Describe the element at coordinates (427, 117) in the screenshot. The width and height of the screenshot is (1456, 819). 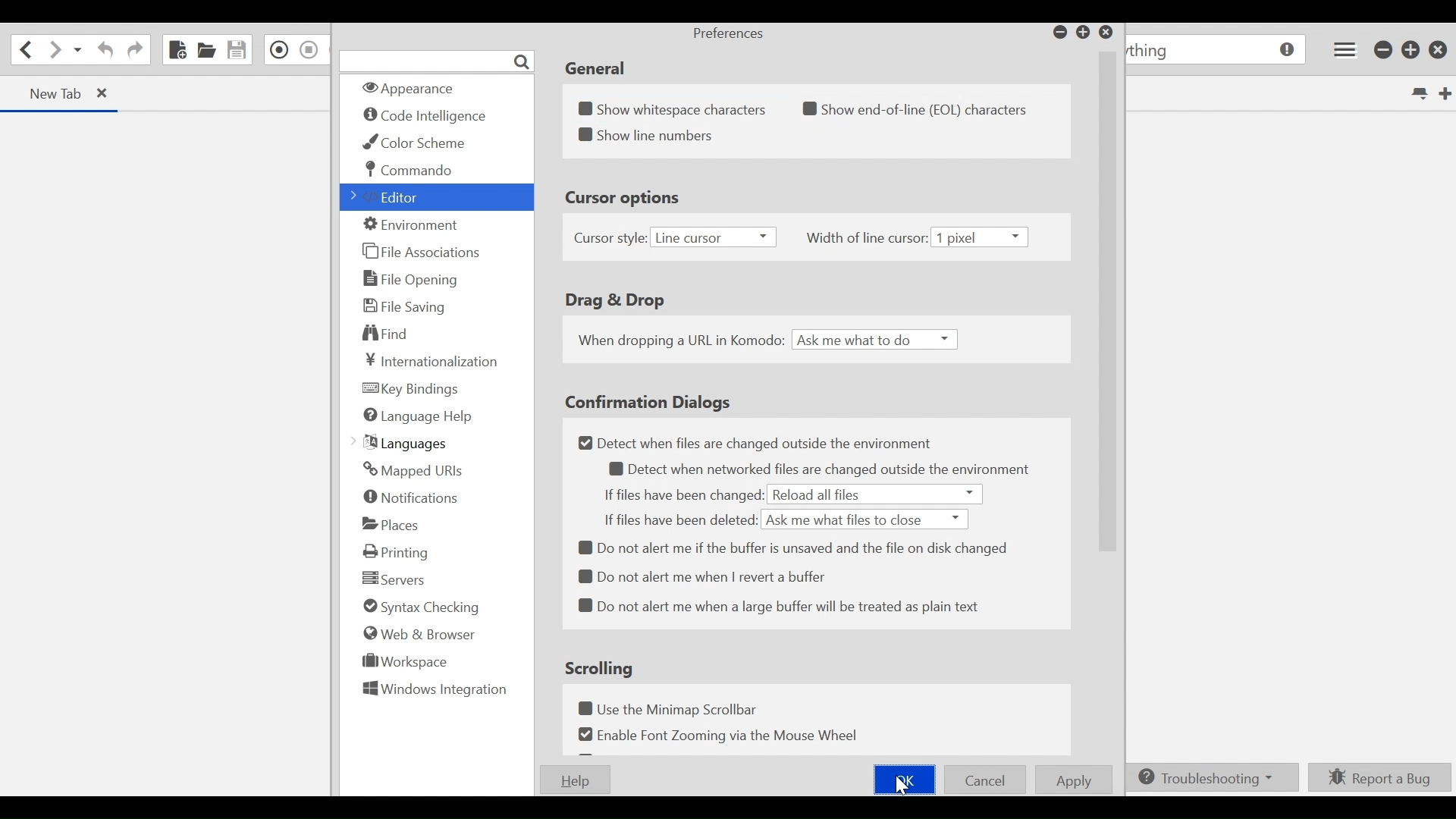
I see `code intelligence` at that location.